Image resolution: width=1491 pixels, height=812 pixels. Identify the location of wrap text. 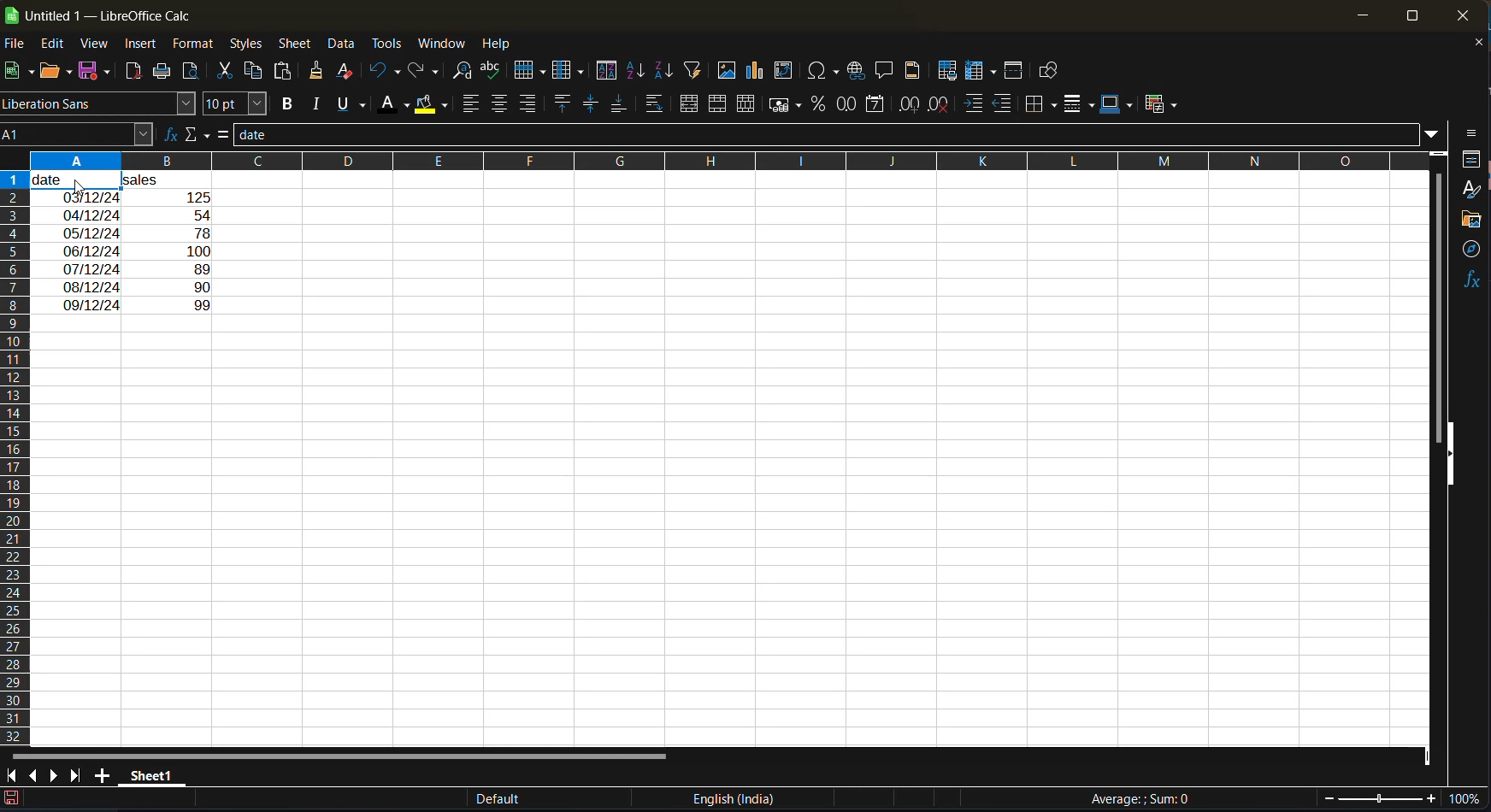
(657, 103).